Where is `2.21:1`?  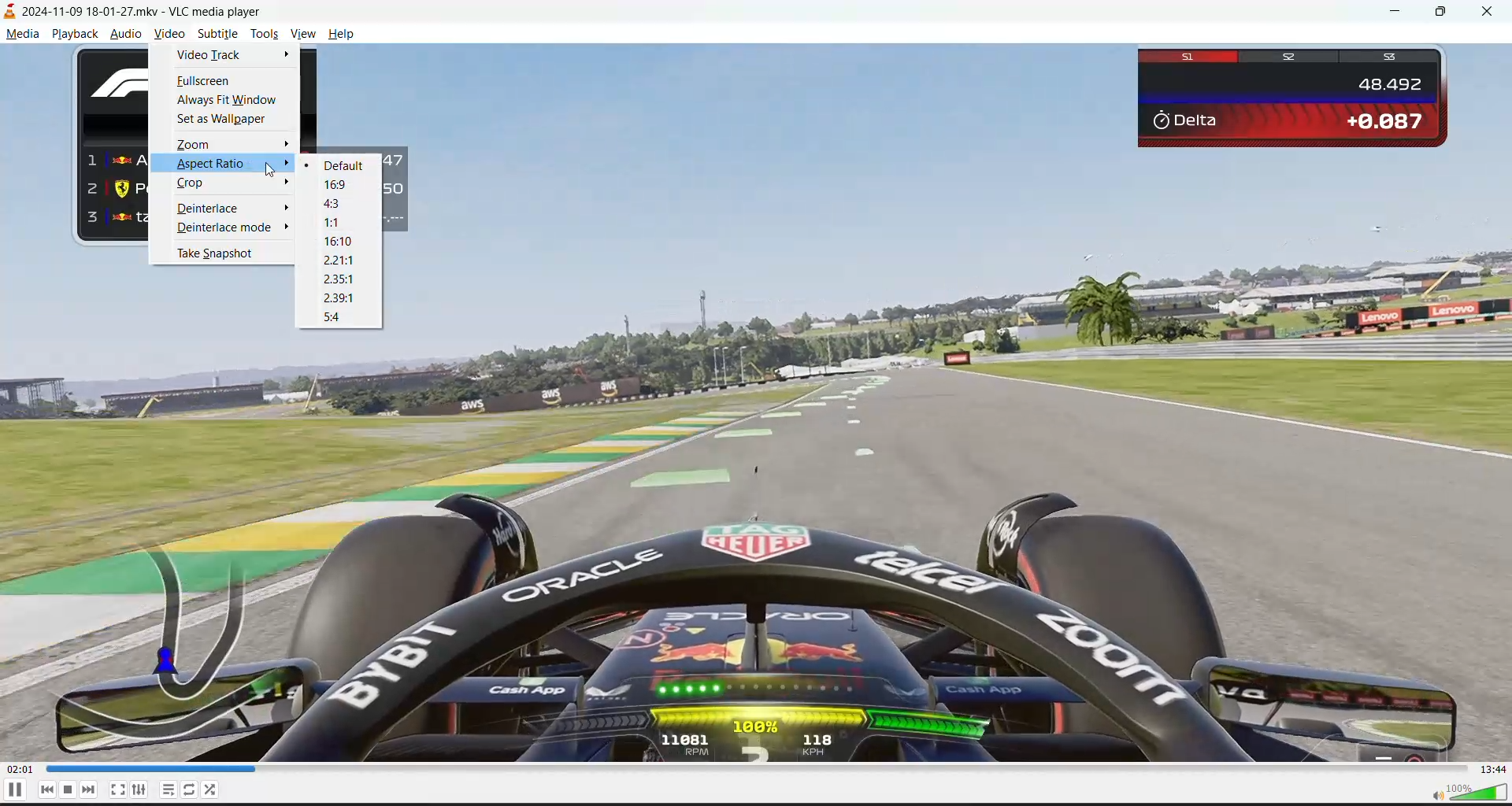
2.21:1 is located at coordinates (335, 260).